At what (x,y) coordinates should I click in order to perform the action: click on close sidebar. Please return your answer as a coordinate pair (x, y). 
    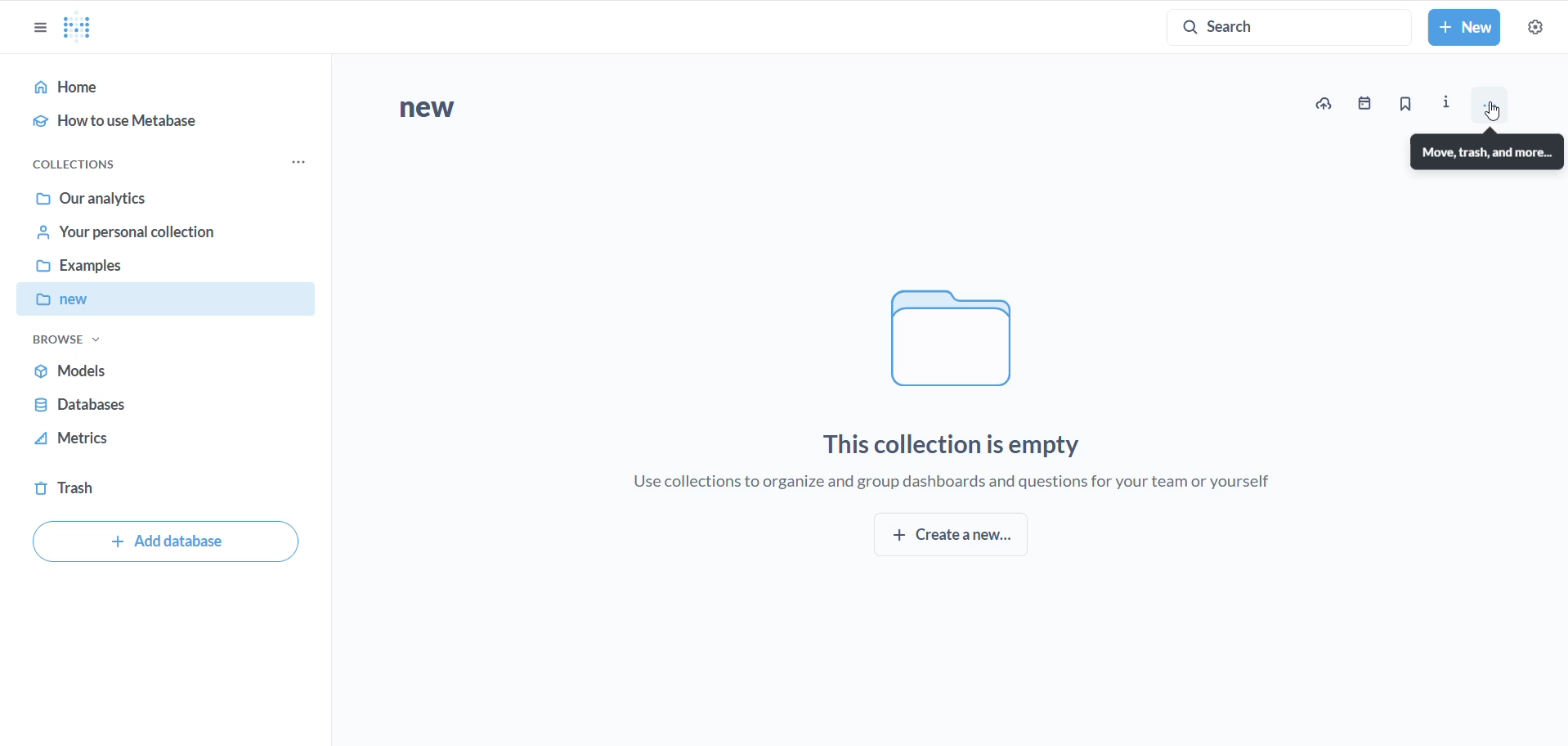
    Looking at the image, I should click on (34, 28).